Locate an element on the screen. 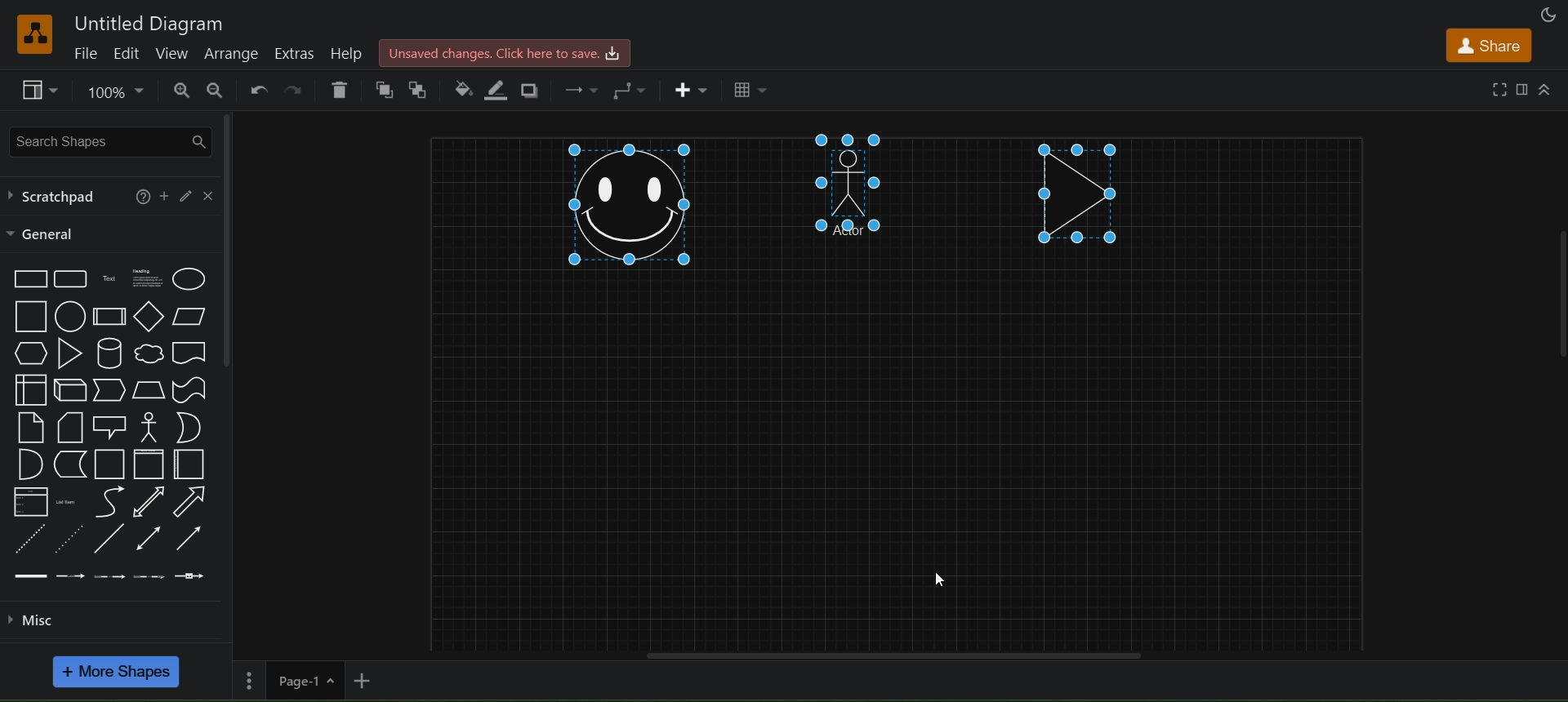 The image size is (1568, 702). zoom is located at coordinates (111, 91).